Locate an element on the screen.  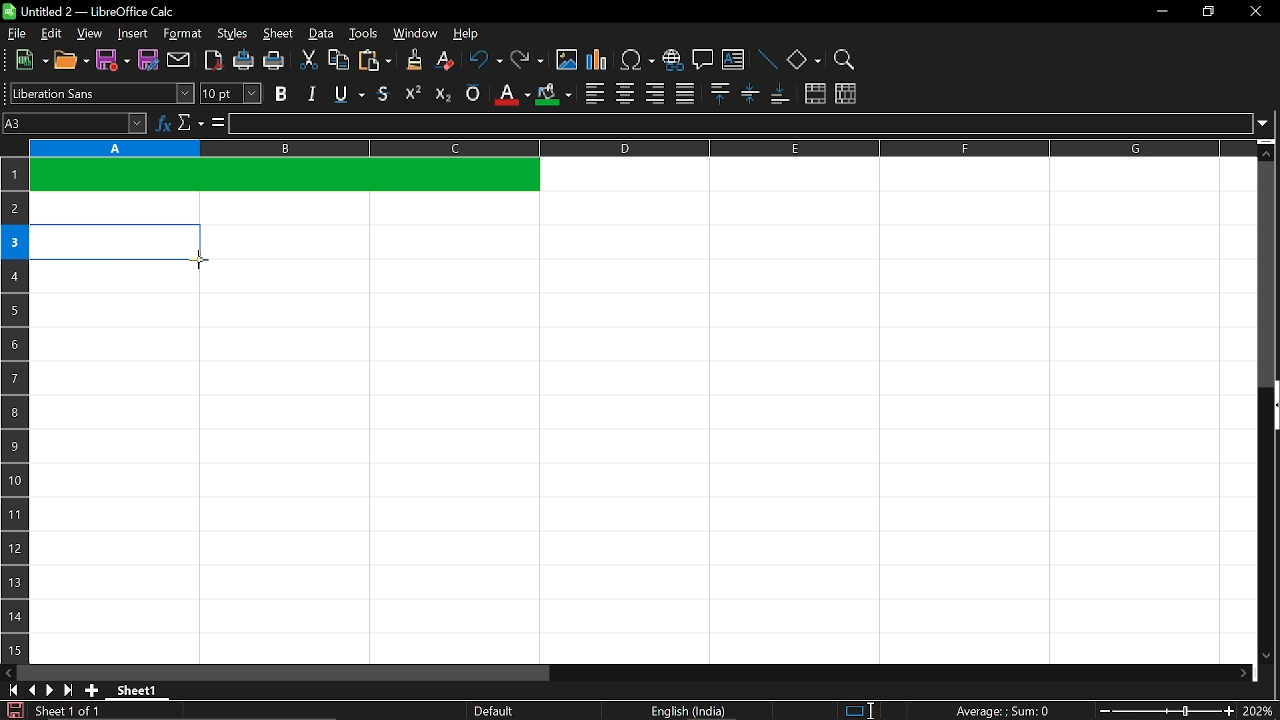
text color is located at coordinates (510, 94).